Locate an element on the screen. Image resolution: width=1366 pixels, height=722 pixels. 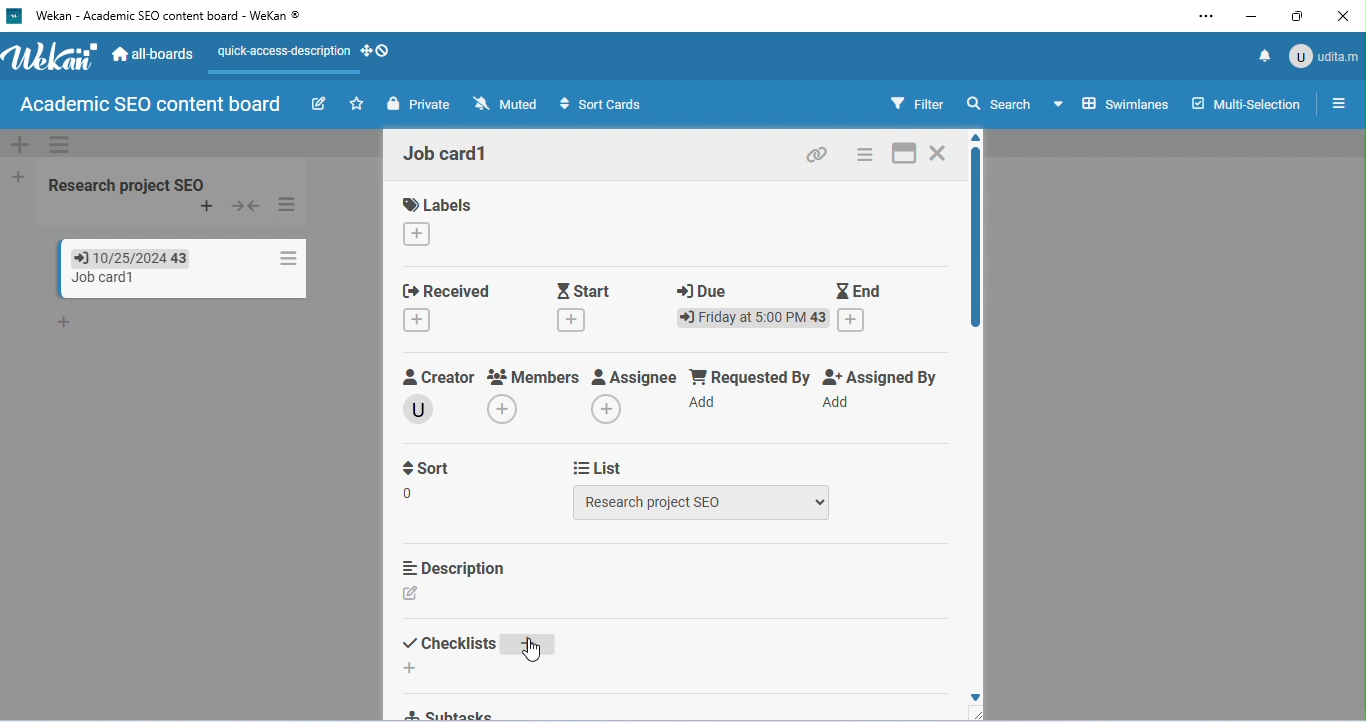
add members is located at coordinates (510, 411).